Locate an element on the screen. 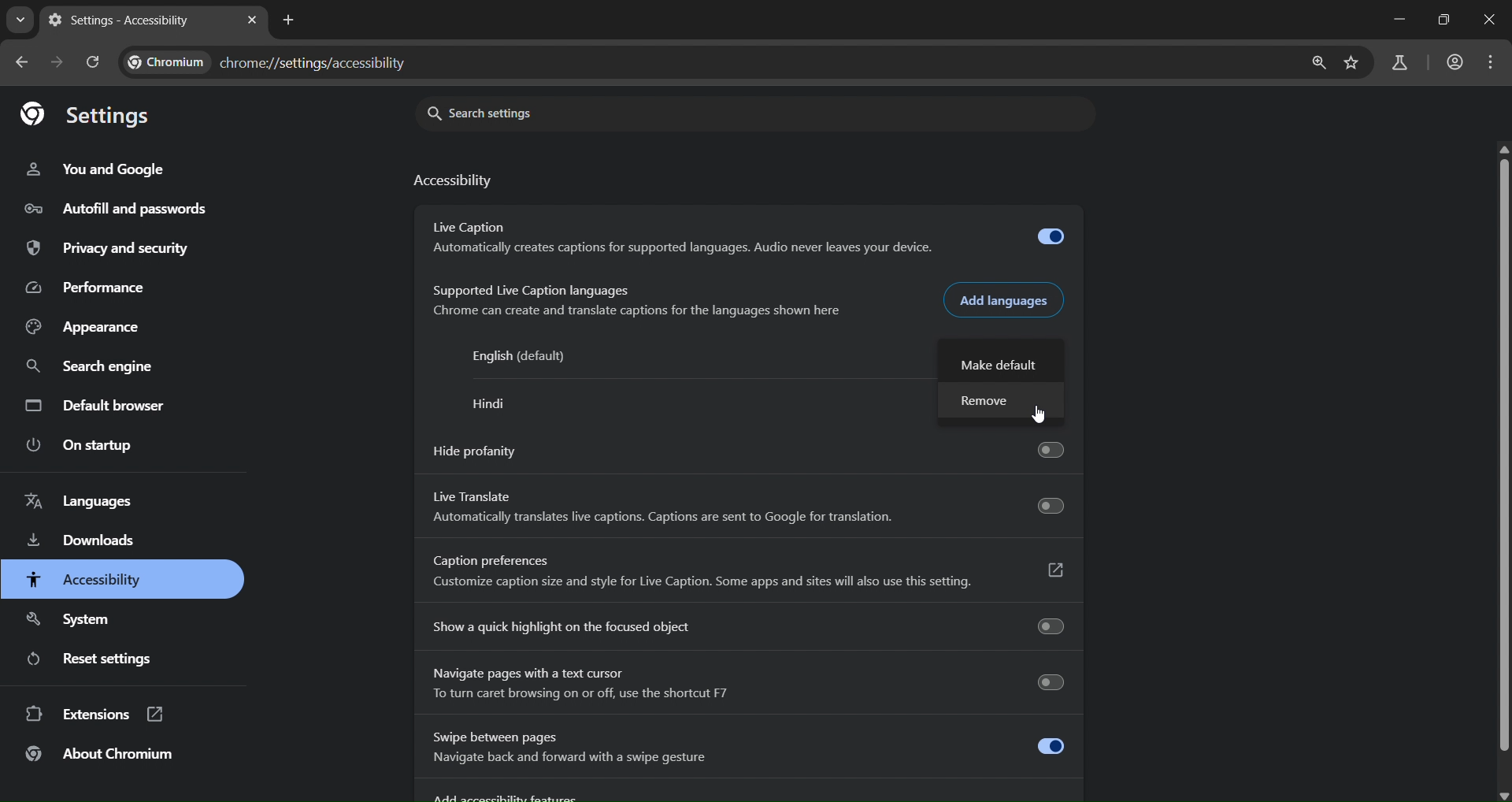  Live Translate
Automatically translates live captions. Captions are sent to Google for translation. is located at coordinates (746, 511).